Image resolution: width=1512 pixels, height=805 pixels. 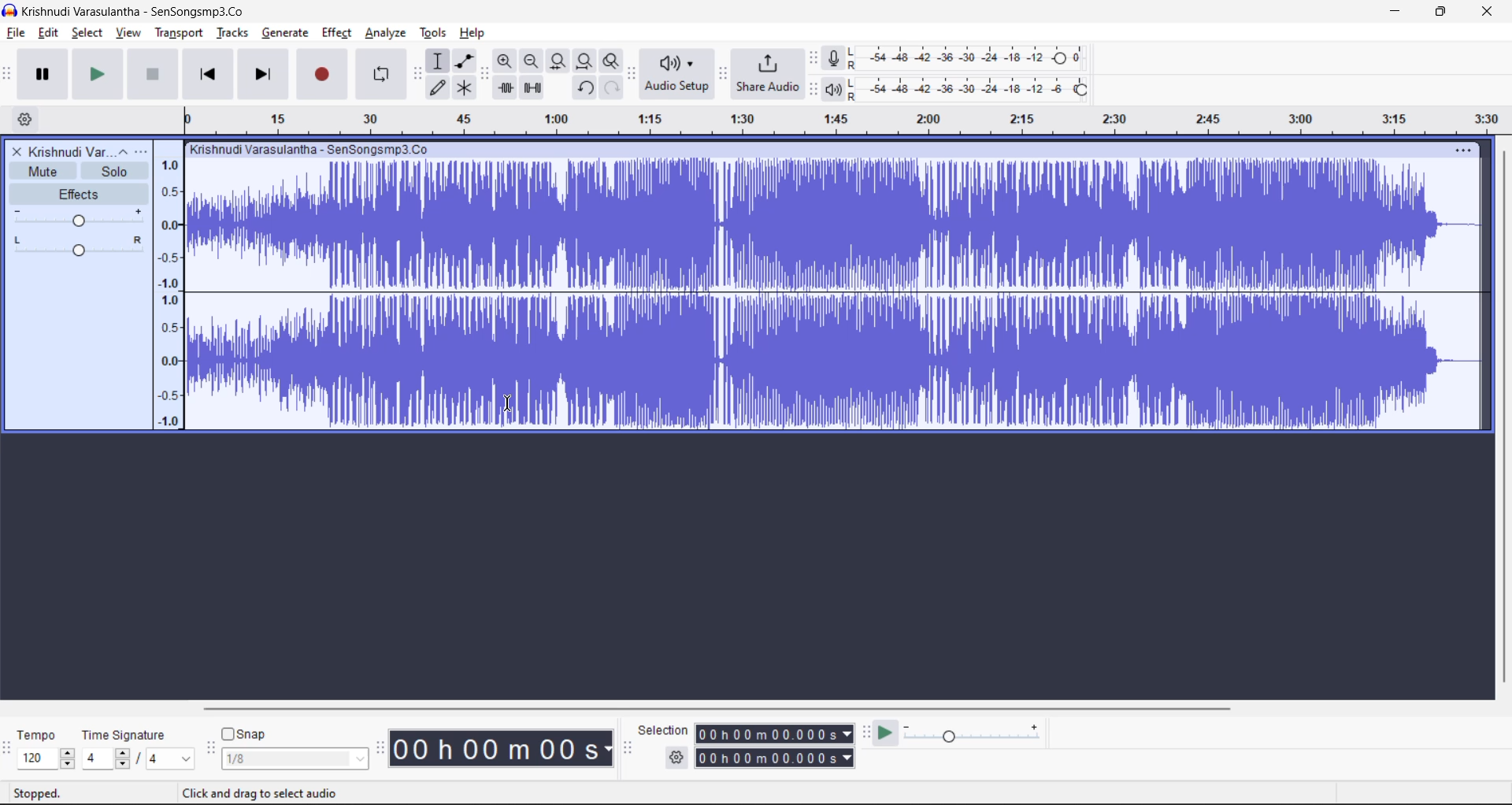 I want to click on skip to end, so click(x=265, y=74).